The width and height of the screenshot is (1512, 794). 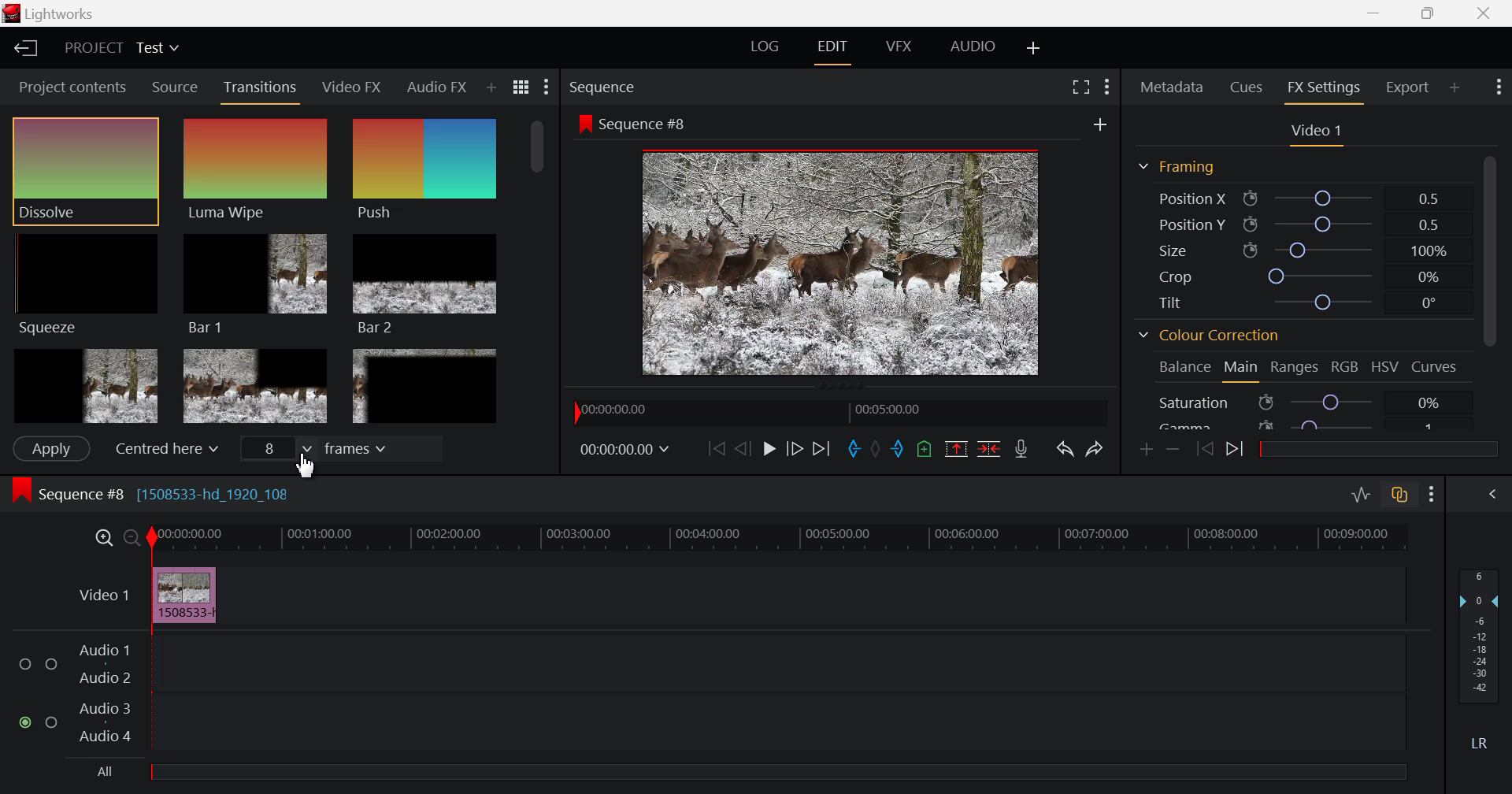 What do you see at coordinates (1388, 369) in the screenshot?
I see `HSV` at bounding box center [1388, 369].